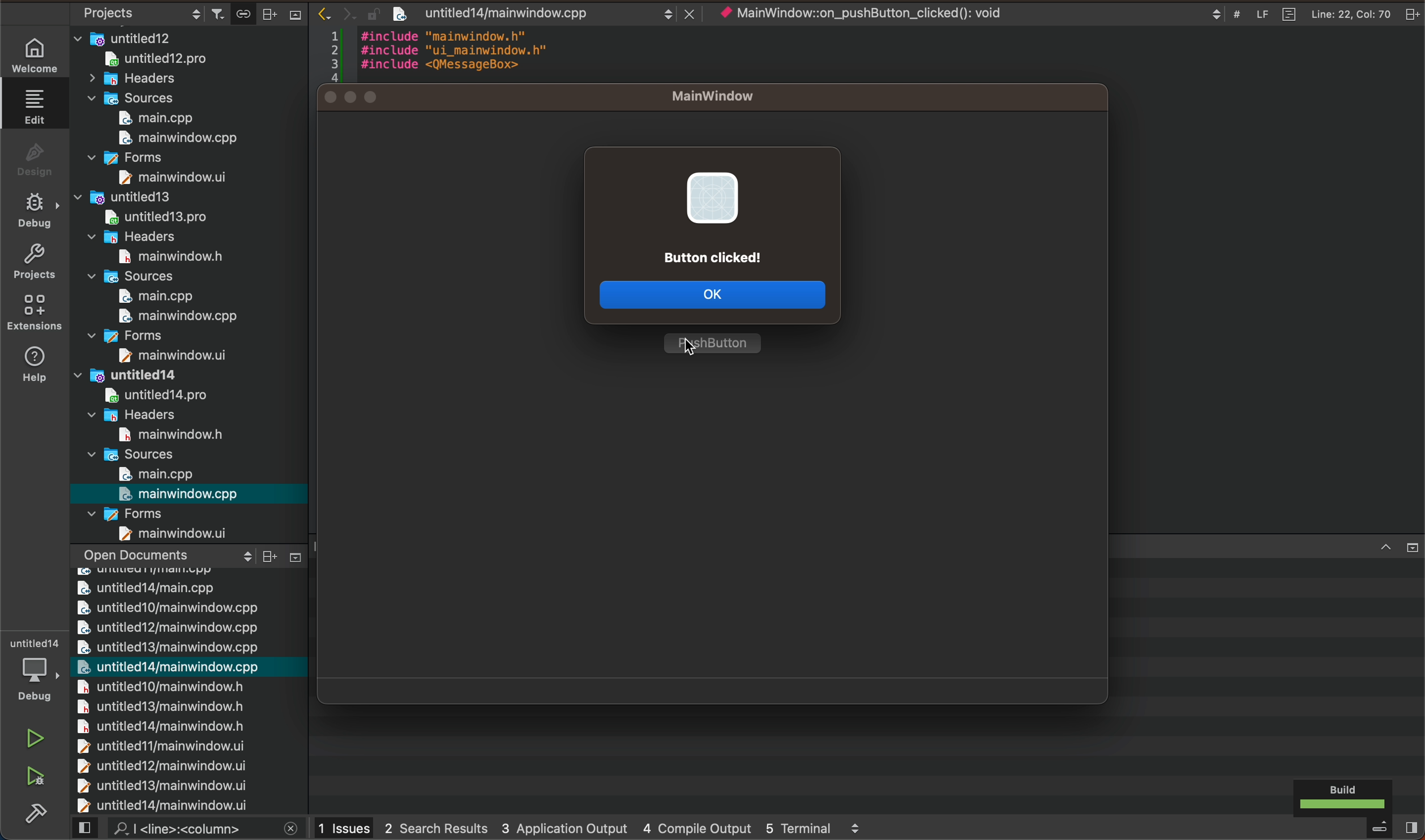  I want to click on WELCOME, so click(36, 58).